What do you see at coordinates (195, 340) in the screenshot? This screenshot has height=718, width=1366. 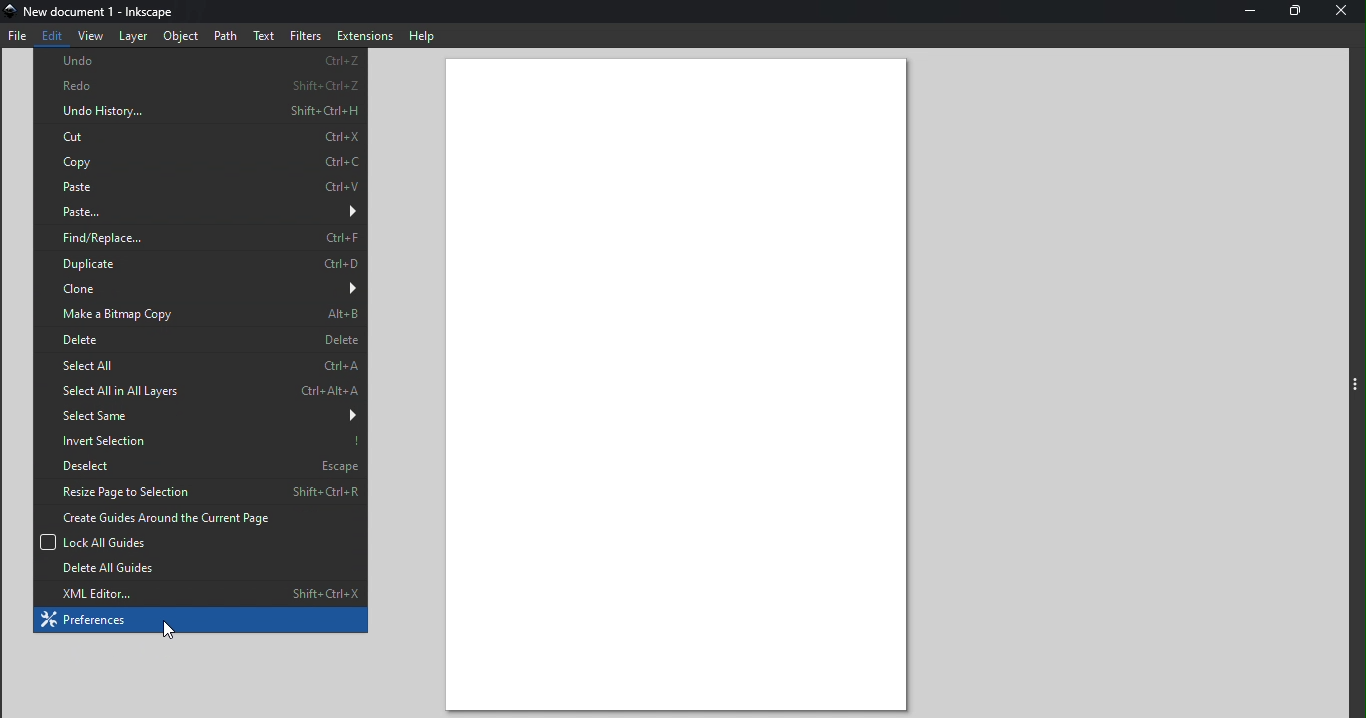 I see `Delete` at bounding box center [195, 340].